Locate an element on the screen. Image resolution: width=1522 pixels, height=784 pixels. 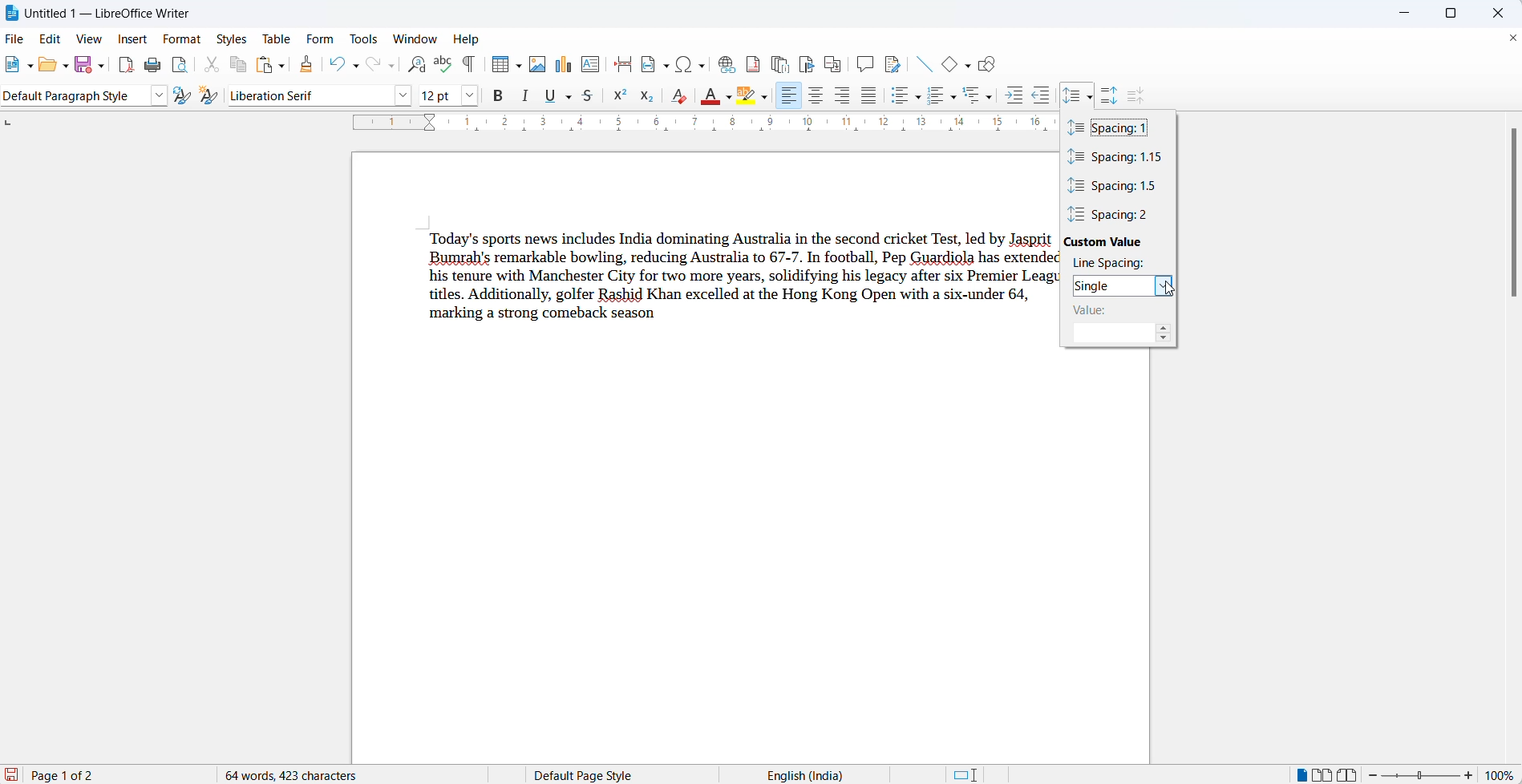
redo options is located at coordinates (391, 67).